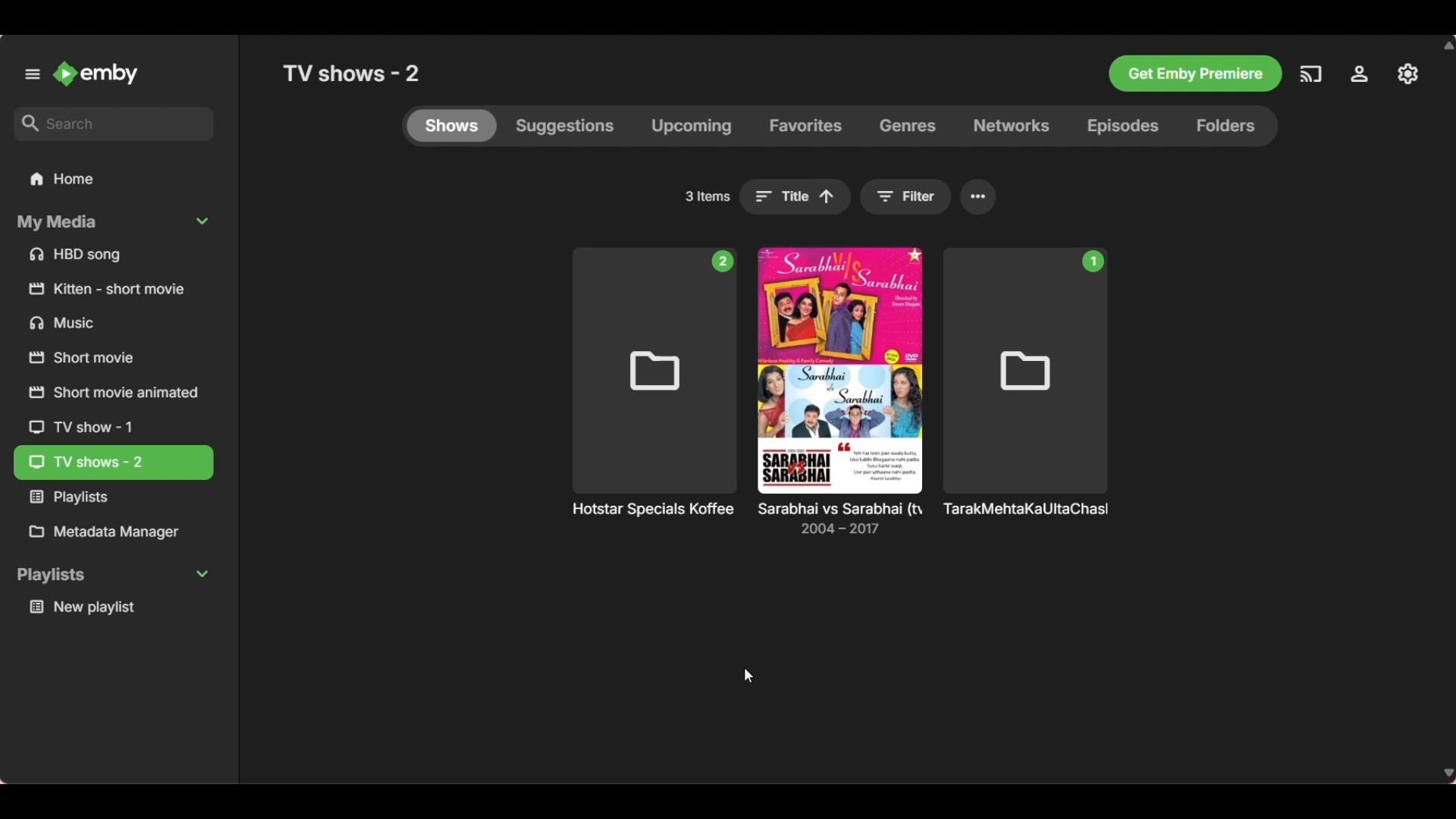 The width and height of the screenshot is (1456, 819). I want to click on Current selection highlighted, so click(115, 463).